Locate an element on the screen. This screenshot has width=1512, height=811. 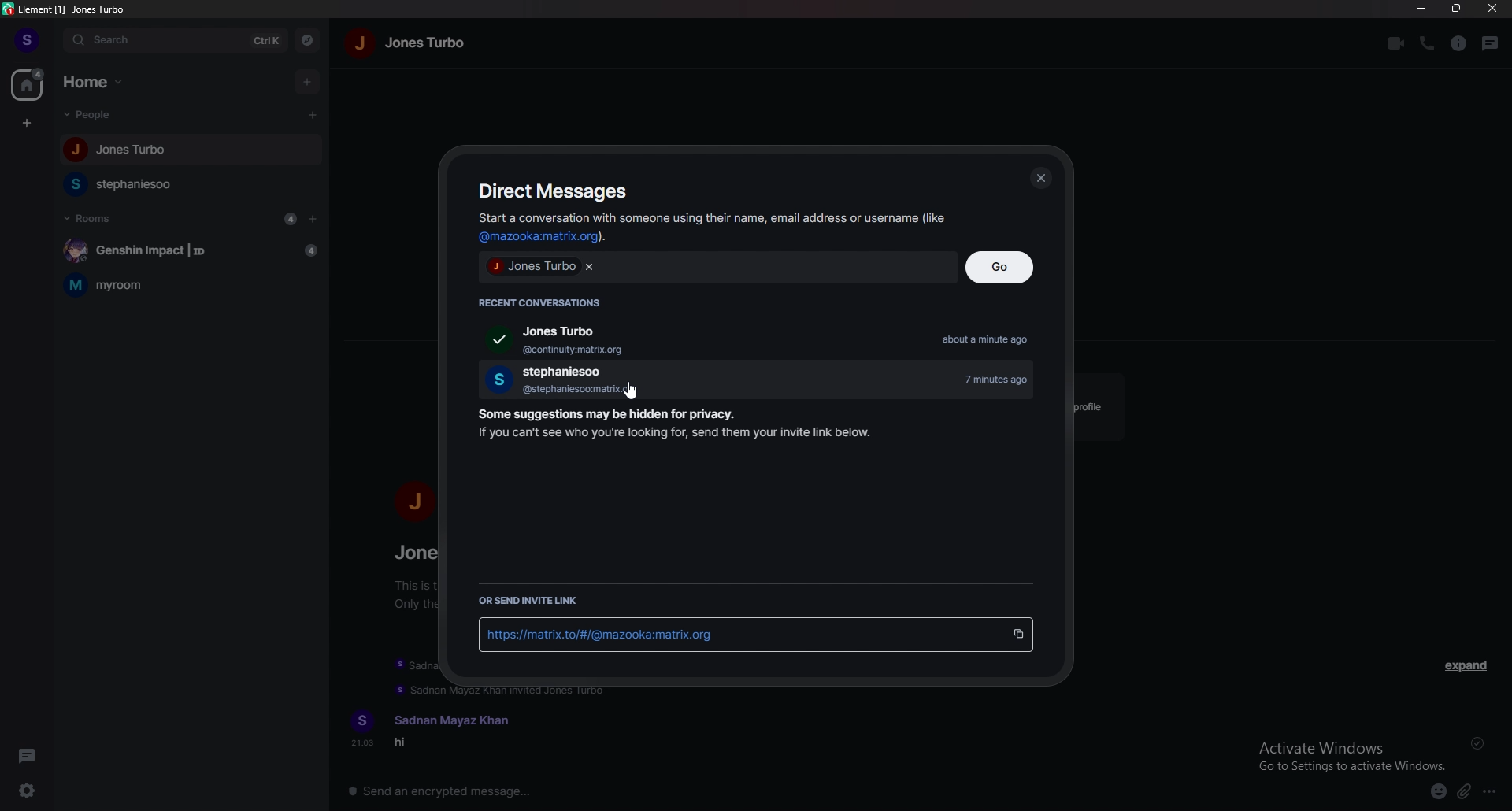
add room is located at coordinates (313, 219).